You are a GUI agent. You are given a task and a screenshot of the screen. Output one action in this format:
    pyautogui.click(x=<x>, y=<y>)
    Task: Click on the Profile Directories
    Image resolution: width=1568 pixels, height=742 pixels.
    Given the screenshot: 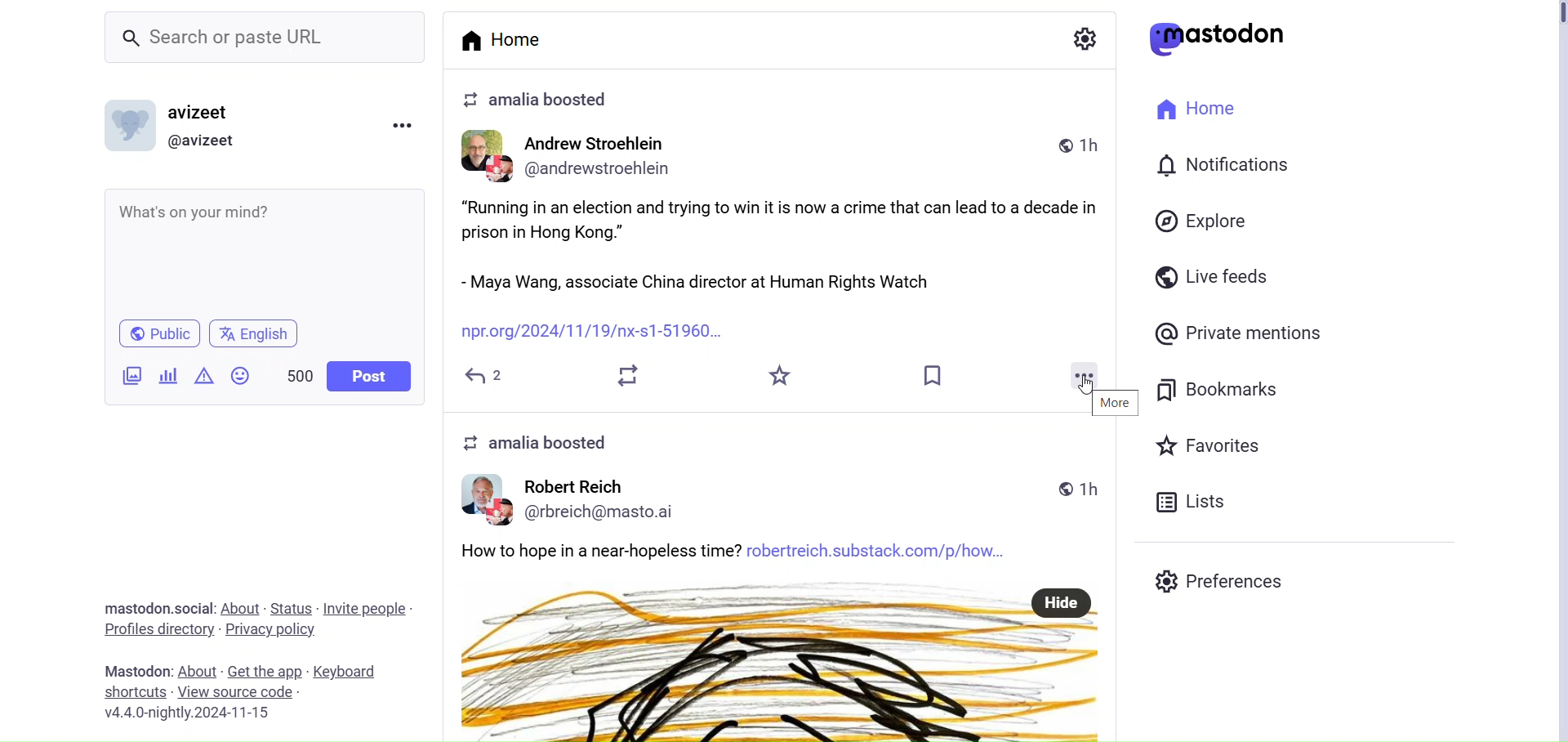 What is the action you would take?
    pyautogui.click(x=158, y=629)
    